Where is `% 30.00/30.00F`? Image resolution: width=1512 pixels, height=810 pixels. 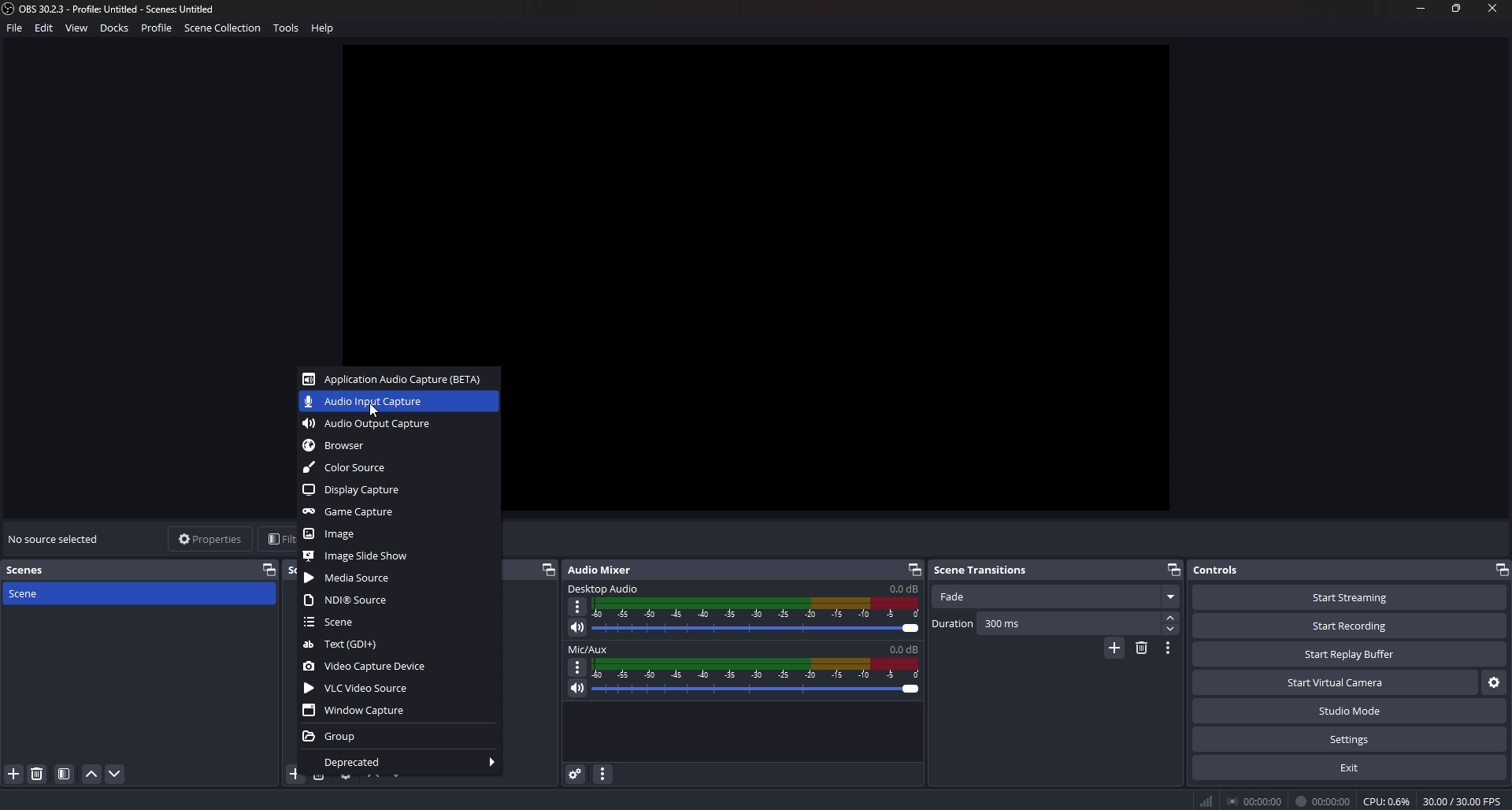
% 30.00/30.00F is located at coordinates (1466, 801).